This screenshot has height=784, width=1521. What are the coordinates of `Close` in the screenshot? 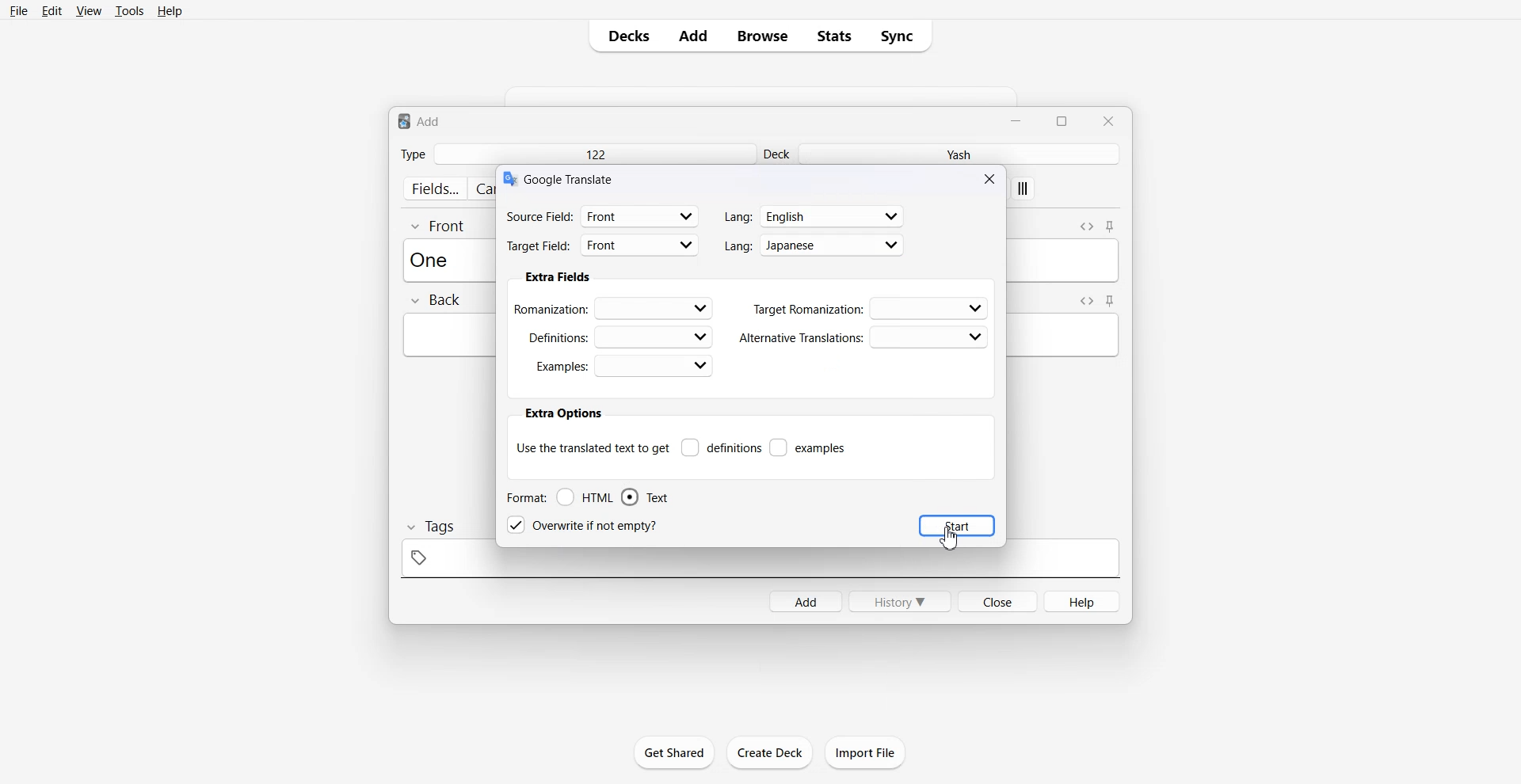 It's located at (997, 600).